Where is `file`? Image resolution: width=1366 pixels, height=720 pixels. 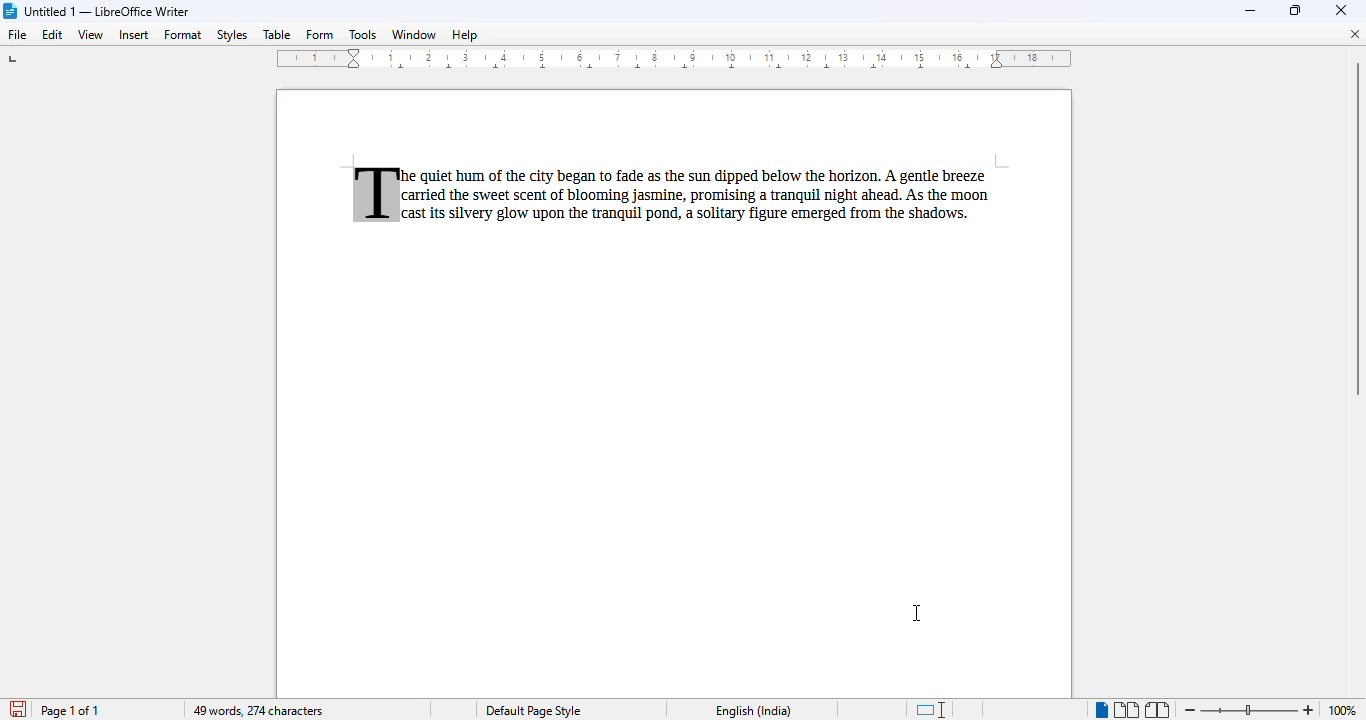 file is located at coordinates (17, 34).